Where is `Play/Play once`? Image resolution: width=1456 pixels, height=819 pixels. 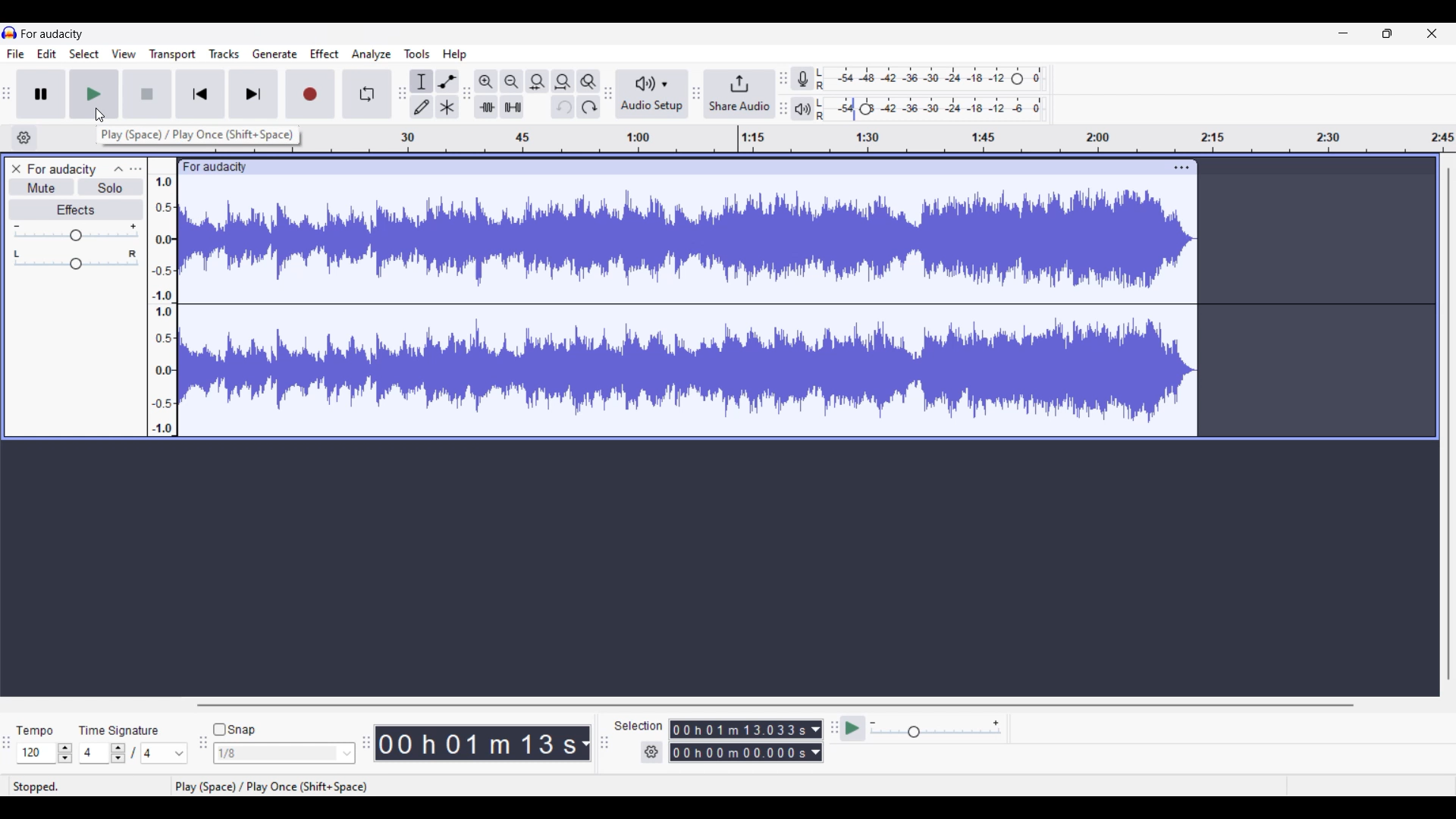 Play/Play once is located at coordinates (93, 94).